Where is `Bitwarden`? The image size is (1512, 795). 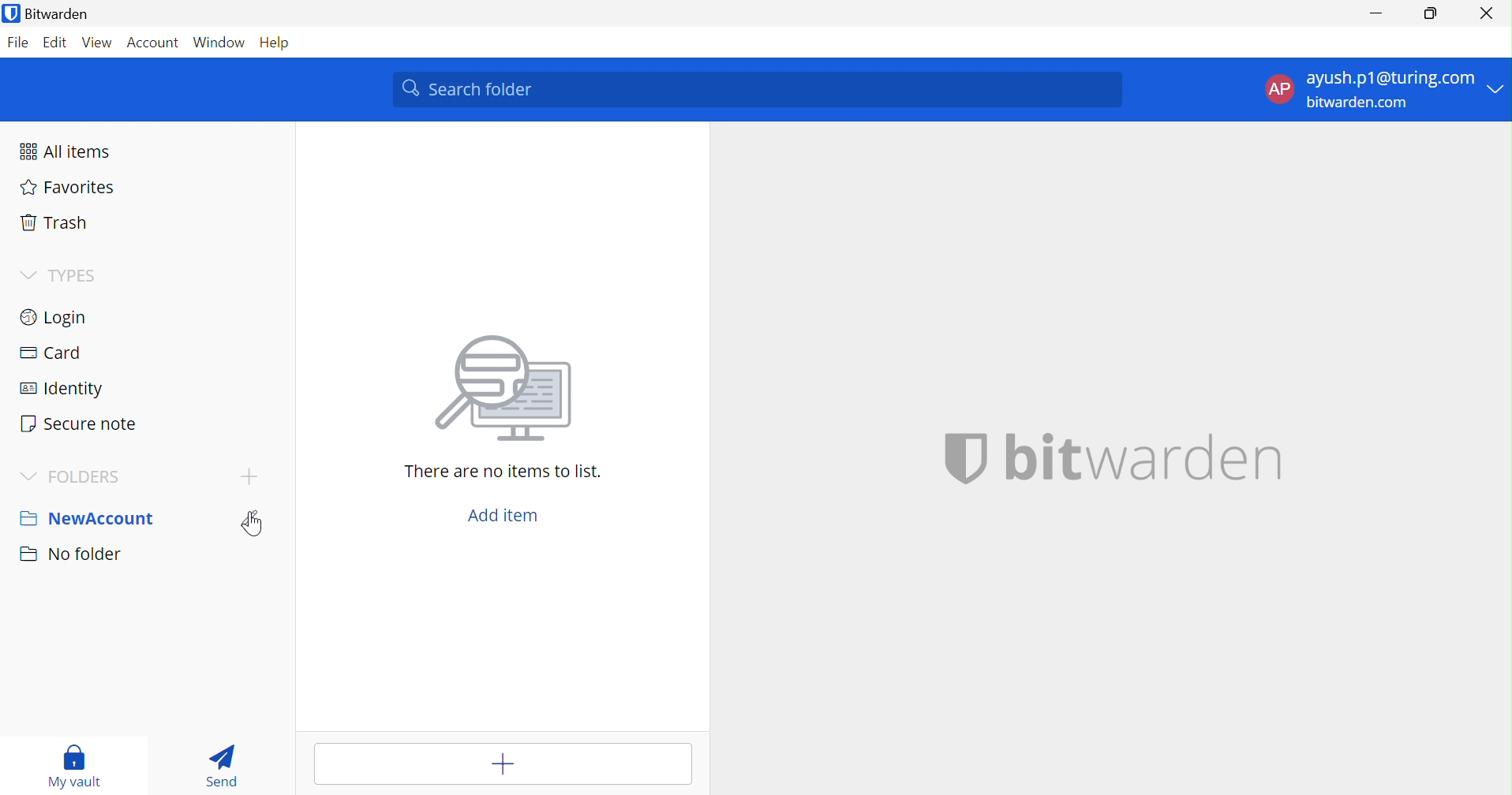
Bitwarden is located at coordinates (51, 14).